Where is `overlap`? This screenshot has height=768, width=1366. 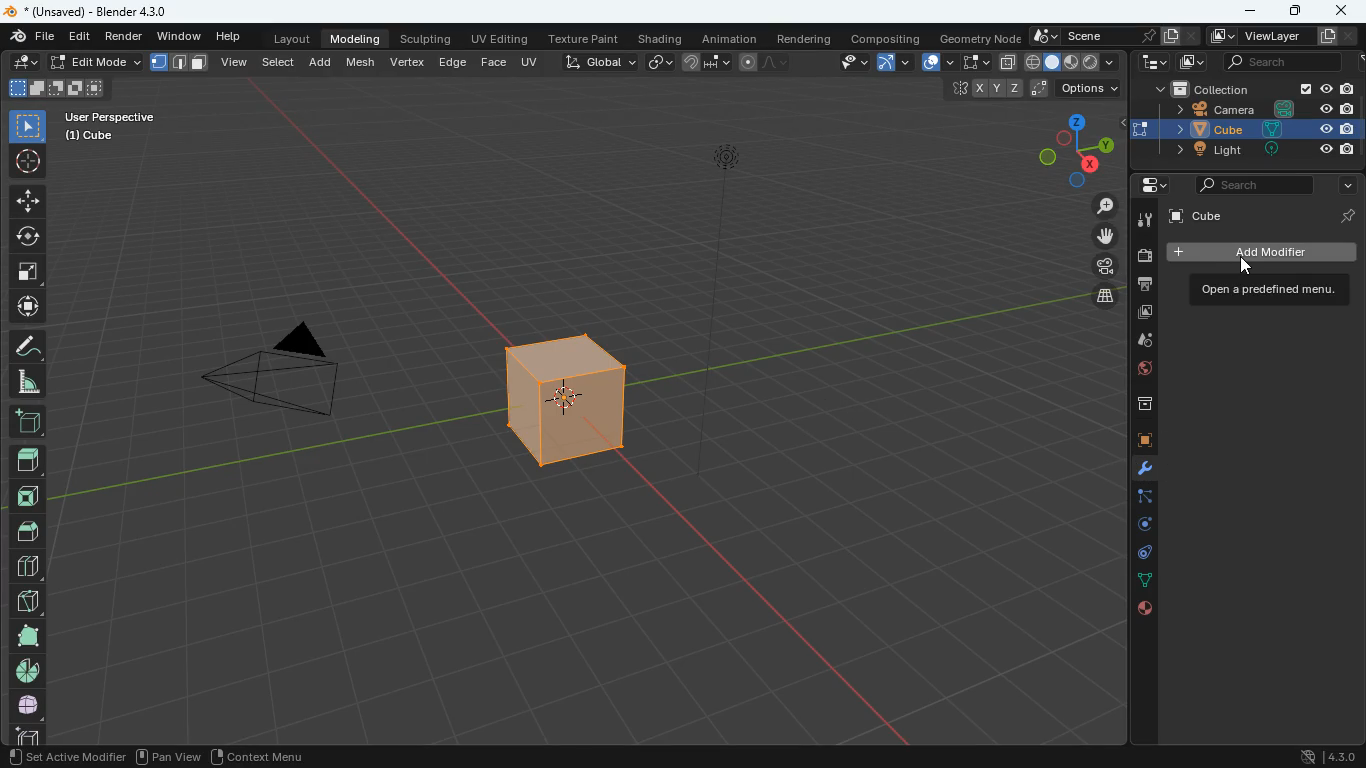
overlap is located at coordinates (937, 62).